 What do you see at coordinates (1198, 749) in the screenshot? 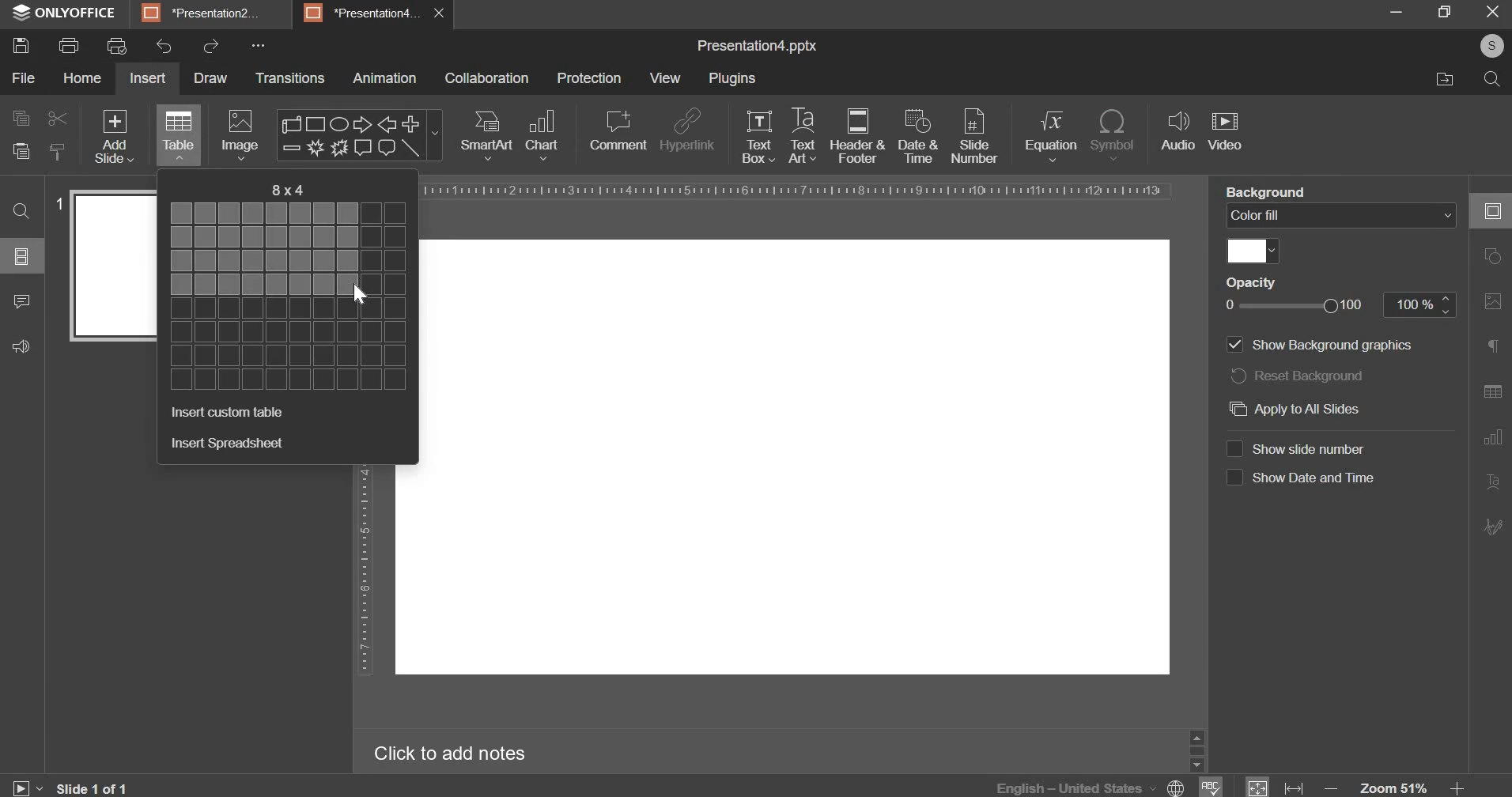
I see `scroll bar` at bounding box center [1198, 749].